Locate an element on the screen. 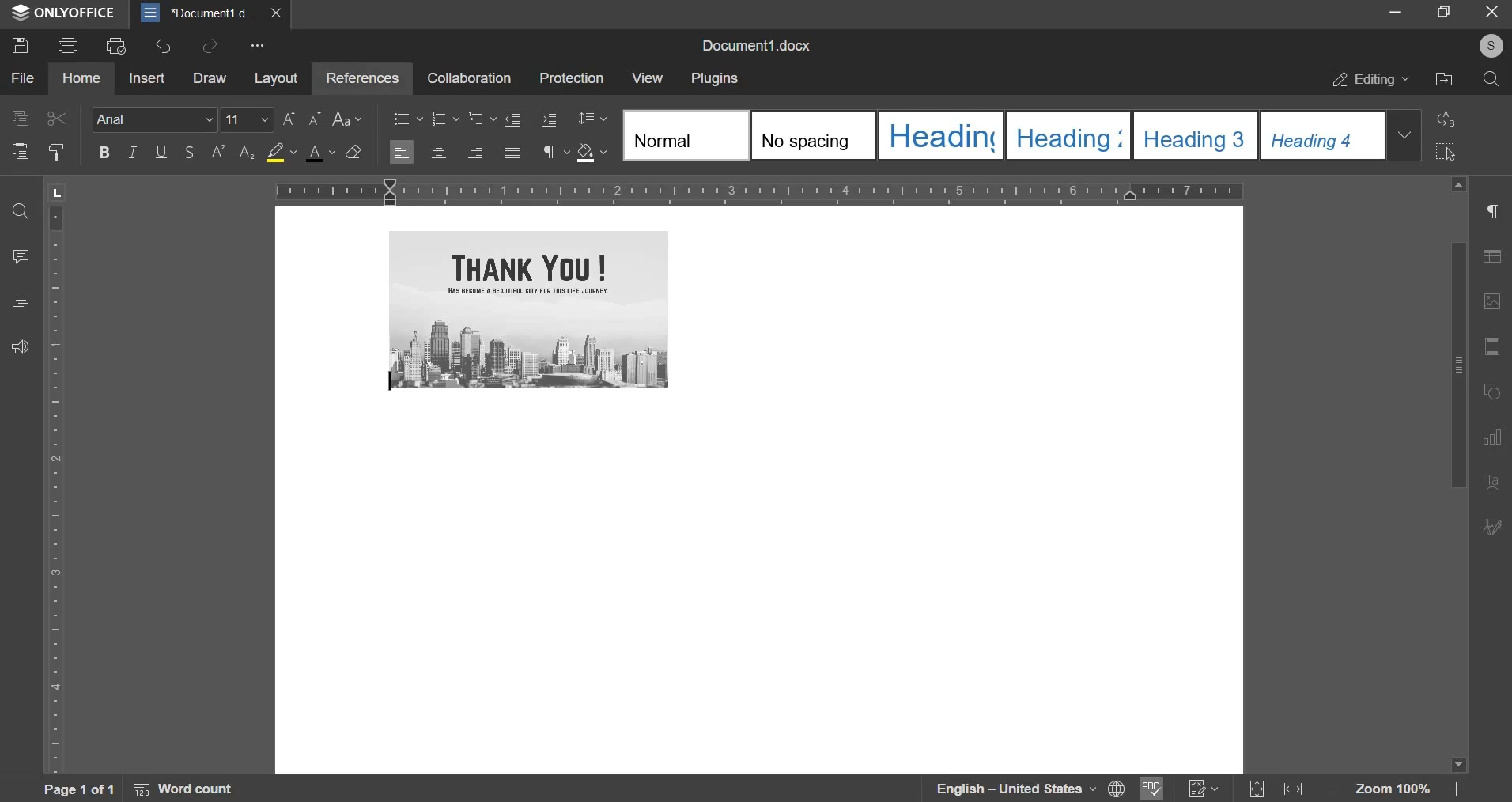 The image size is (1512, 802). zoom 100% is located at coordinates (1394, 791).